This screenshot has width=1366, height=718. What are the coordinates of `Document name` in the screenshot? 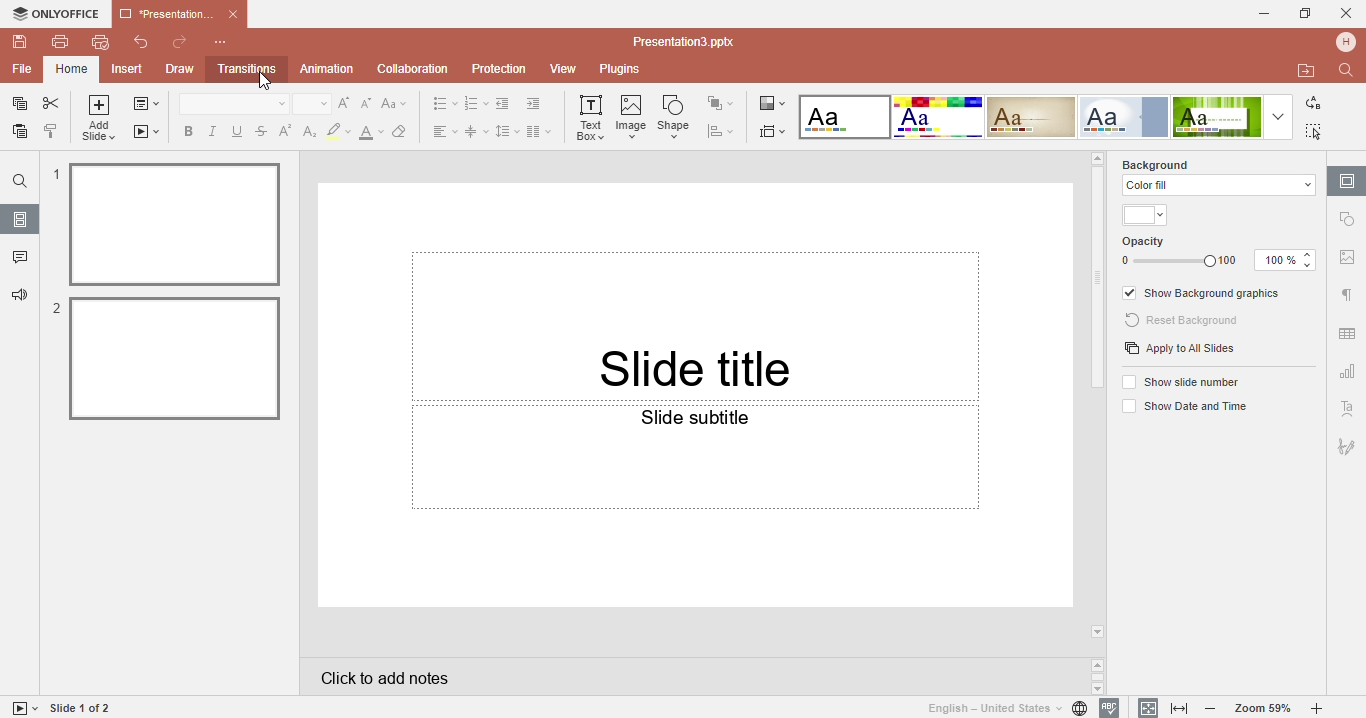 It's located at (689, 42).